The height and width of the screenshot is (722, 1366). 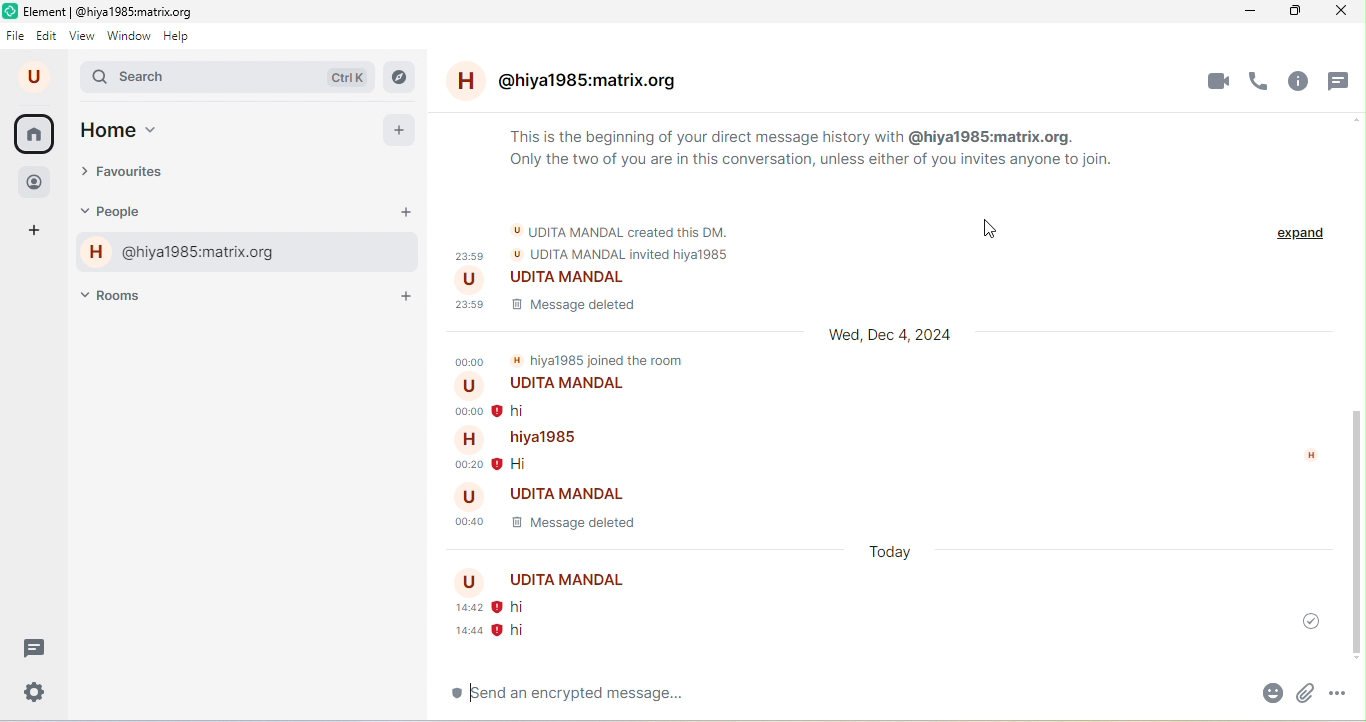 What do you see at coordinates (1240, 12) in the screenshot?
I see `minimize` at bounding box center [1240, 12].